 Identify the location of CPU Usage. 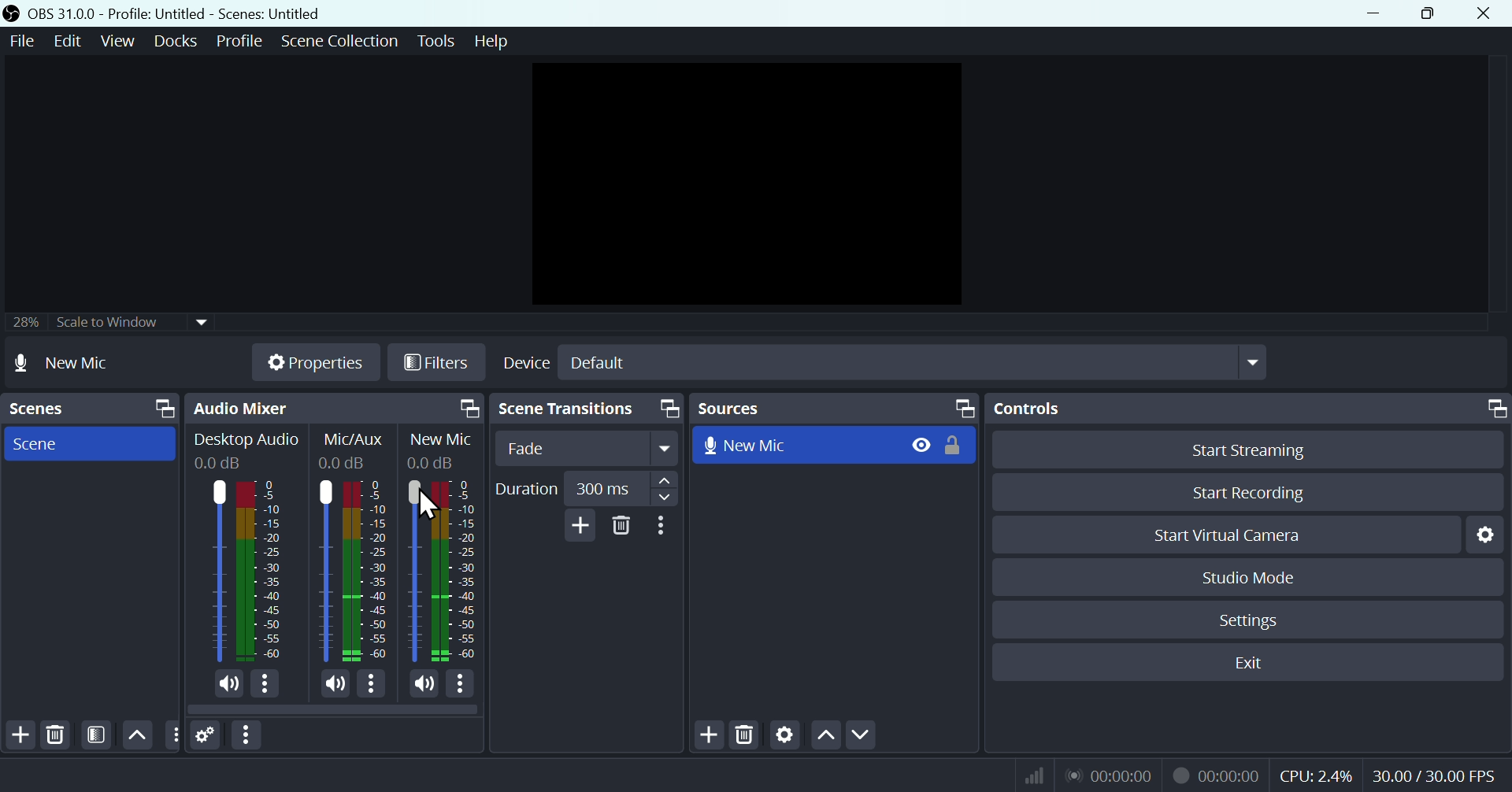
(1317, 776).